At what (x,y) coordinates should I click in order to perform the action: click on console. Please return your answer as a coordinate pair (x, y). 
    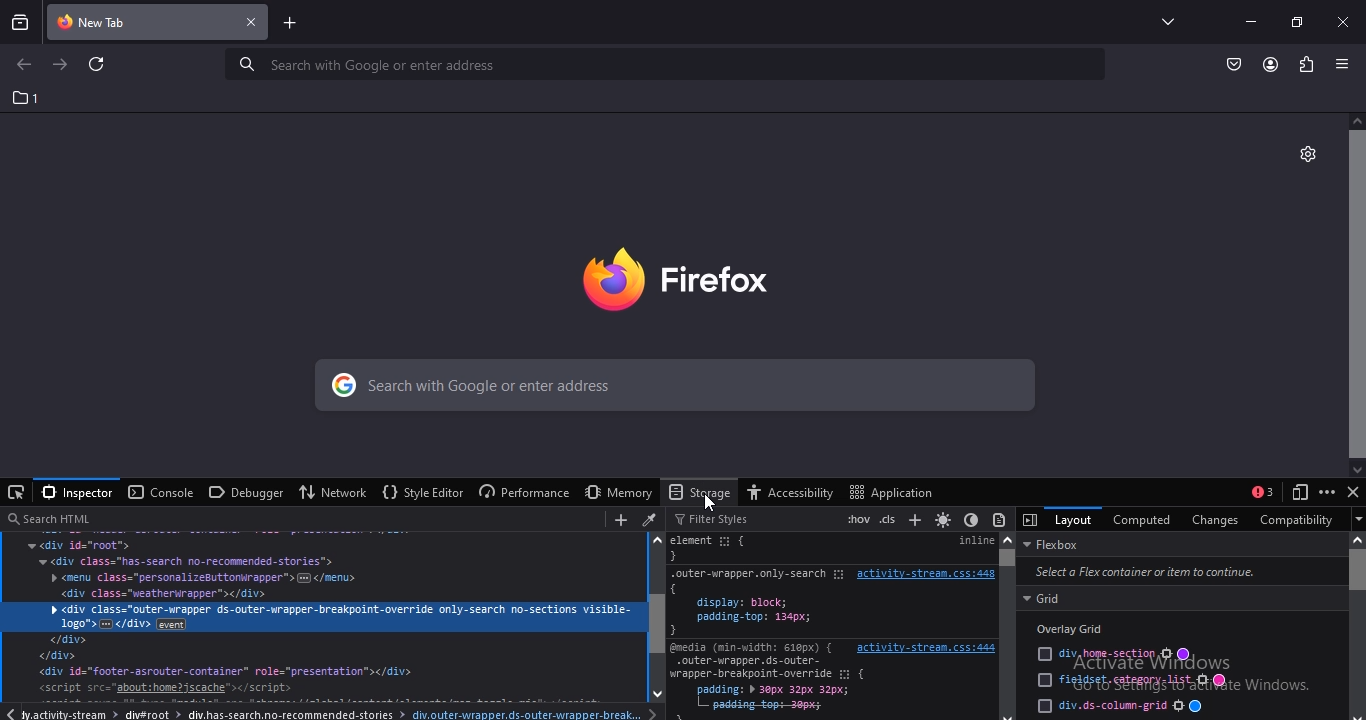
    Looking at the image, I should click on (161, 493).